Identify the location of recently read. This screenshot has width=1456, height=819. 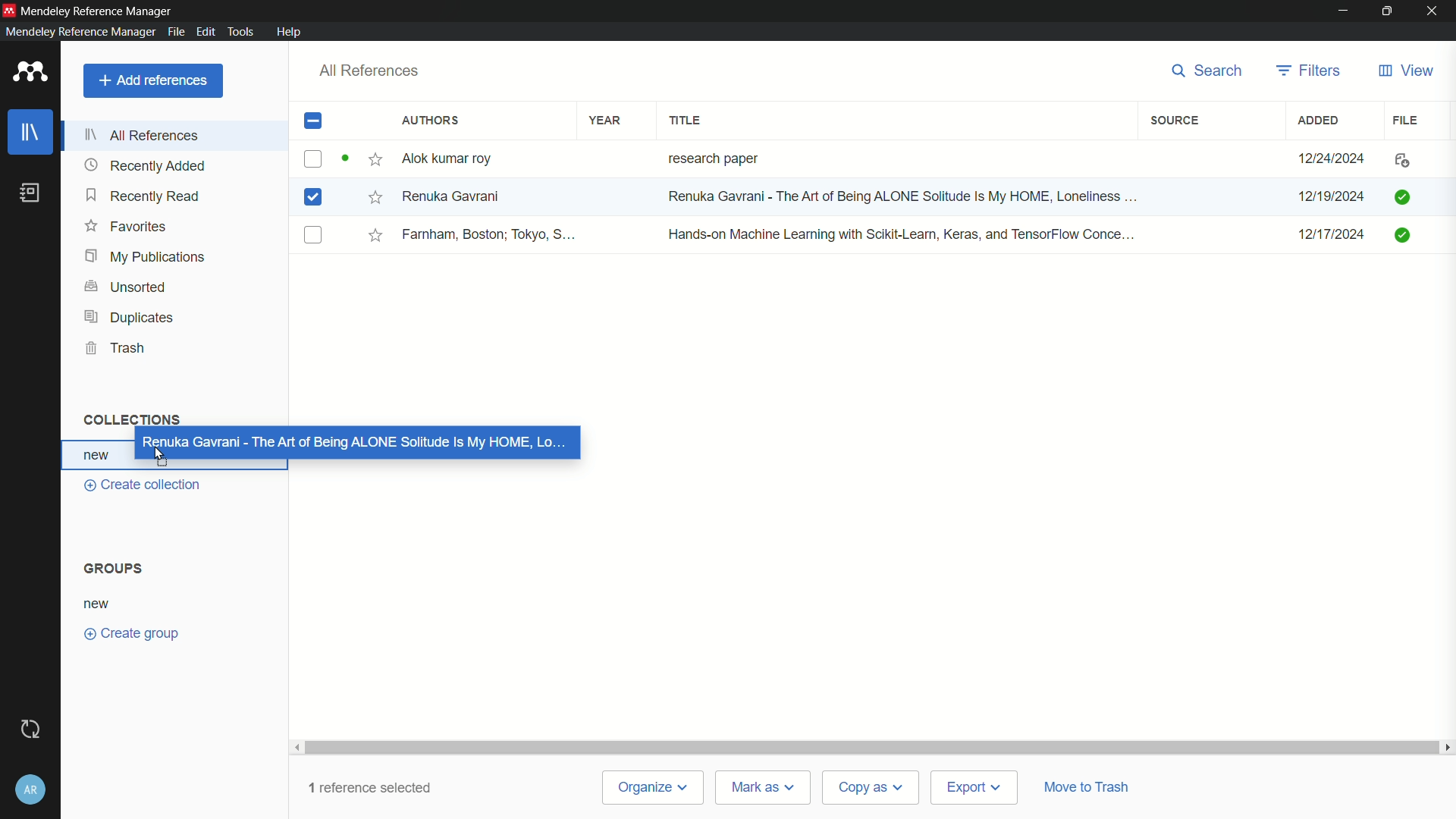
(145, 196).